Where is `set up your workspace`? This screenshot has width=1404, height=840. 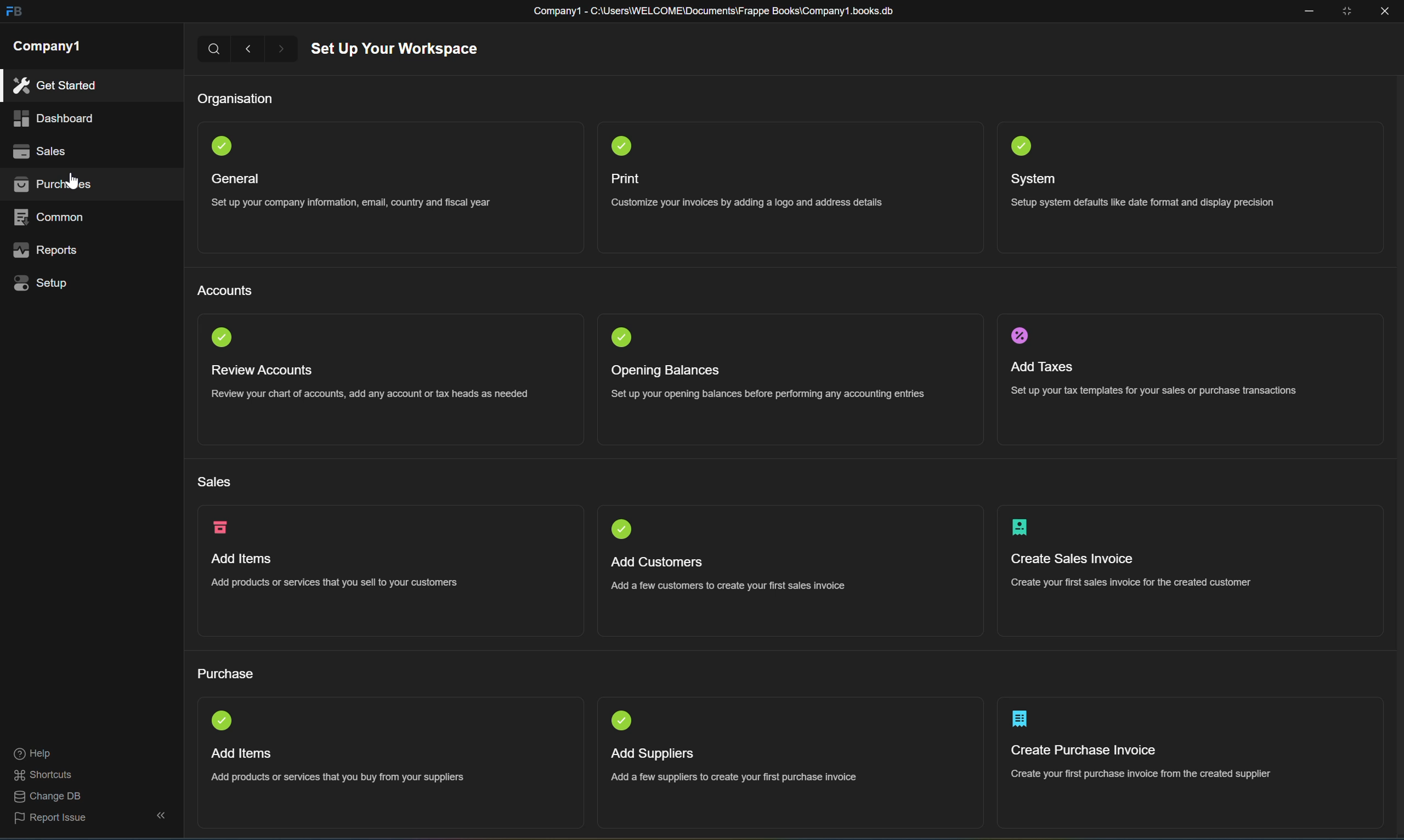 set up your workspace is located at coordinates (396, 50).